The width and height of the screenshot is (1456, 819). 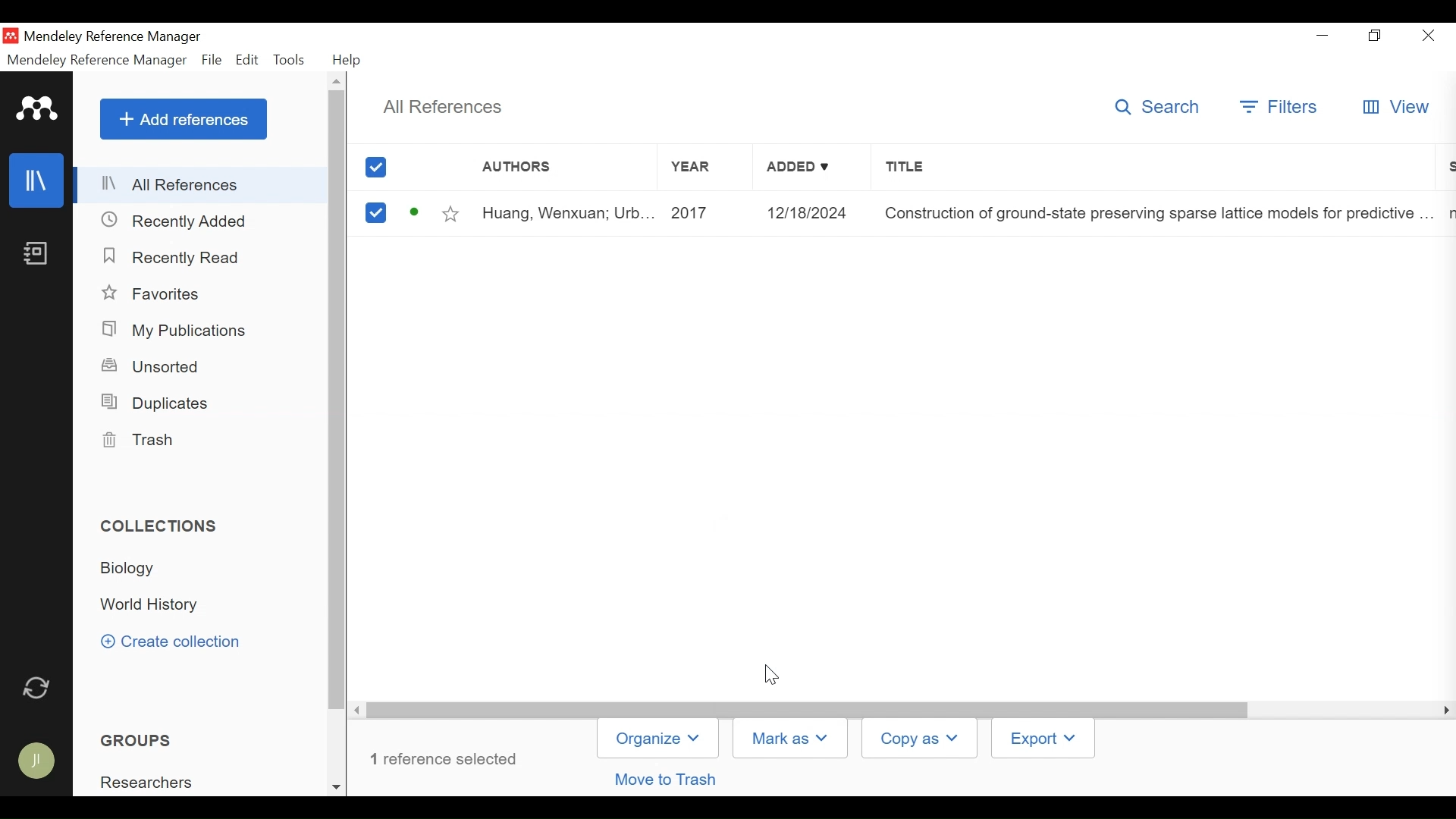 I want to click on Restore, so click(x=1376, y=34).